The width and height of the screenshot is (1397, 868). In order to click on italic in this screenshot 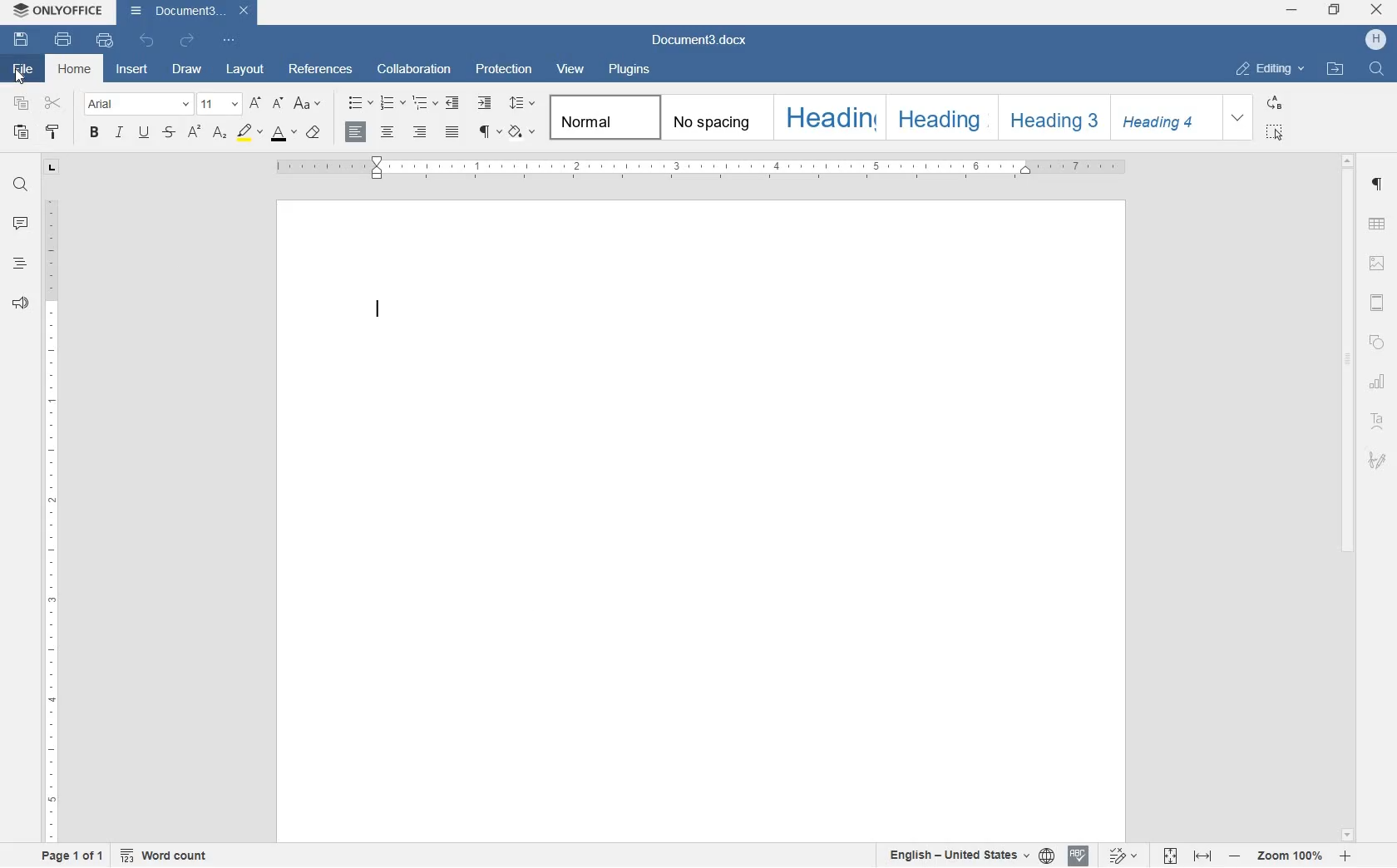, I will do `click(120, 134)`.